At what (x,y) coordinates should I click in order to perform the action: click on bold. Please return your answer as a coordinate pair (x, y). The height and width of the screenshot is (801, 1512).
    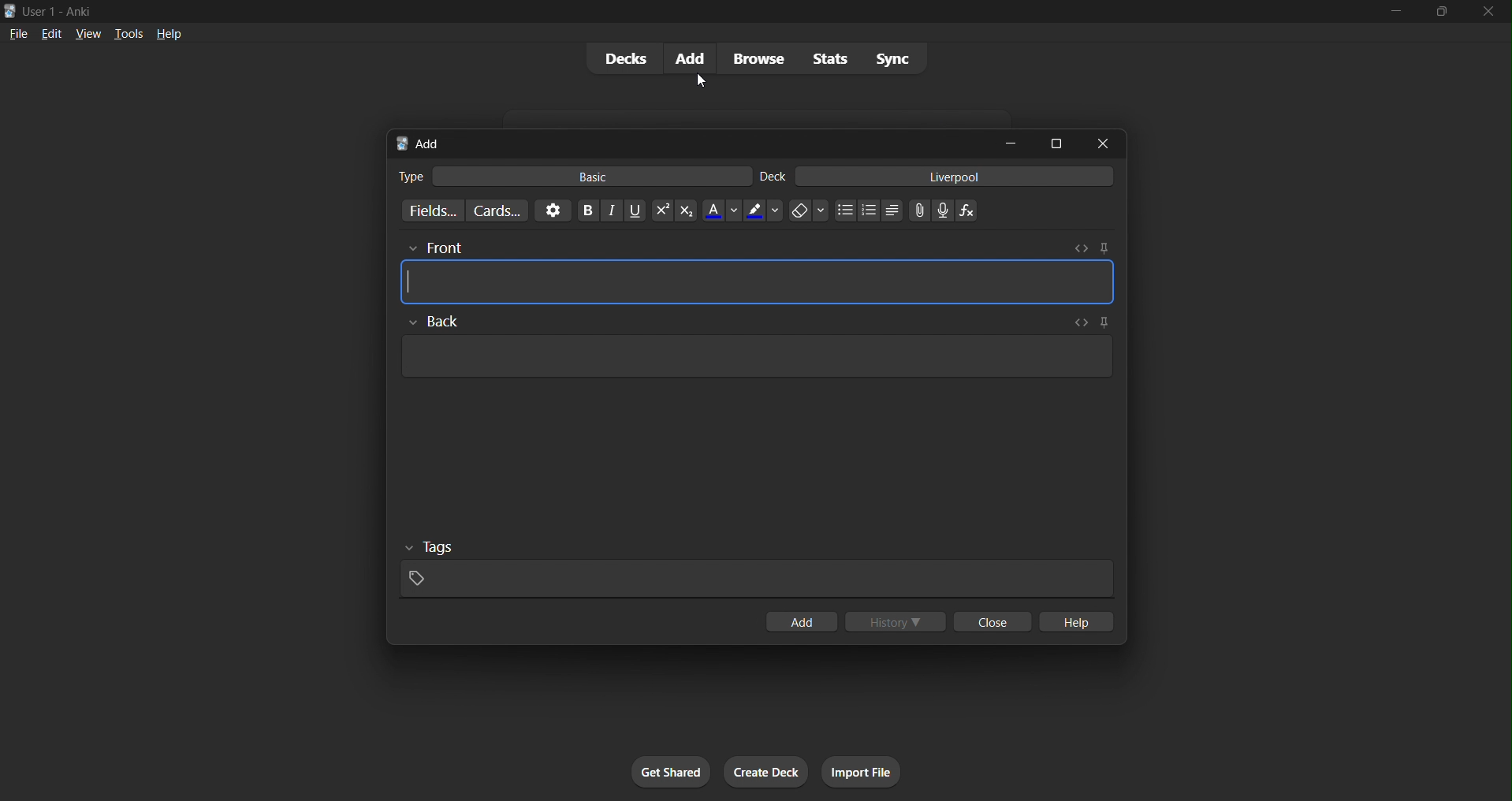
    Looking at the image, I should click on (582, 209).